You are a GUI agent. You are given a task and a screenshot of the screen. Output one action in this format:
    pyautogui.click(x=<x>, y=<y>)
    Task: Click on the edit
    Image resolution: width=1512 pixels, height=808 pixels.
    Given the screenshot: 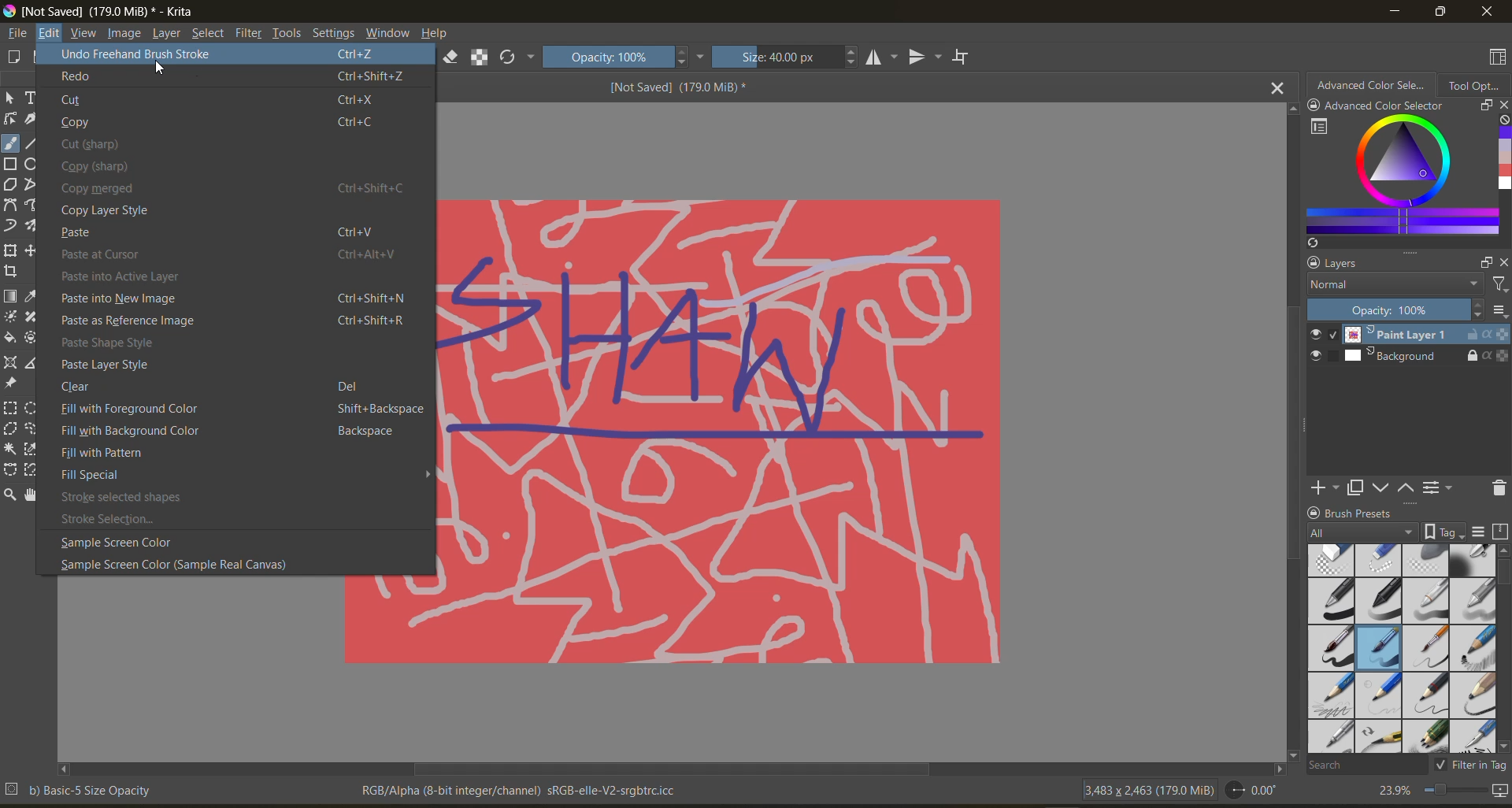 What is the action you would take?
    pyautogui.click(x=50, y=33)
    